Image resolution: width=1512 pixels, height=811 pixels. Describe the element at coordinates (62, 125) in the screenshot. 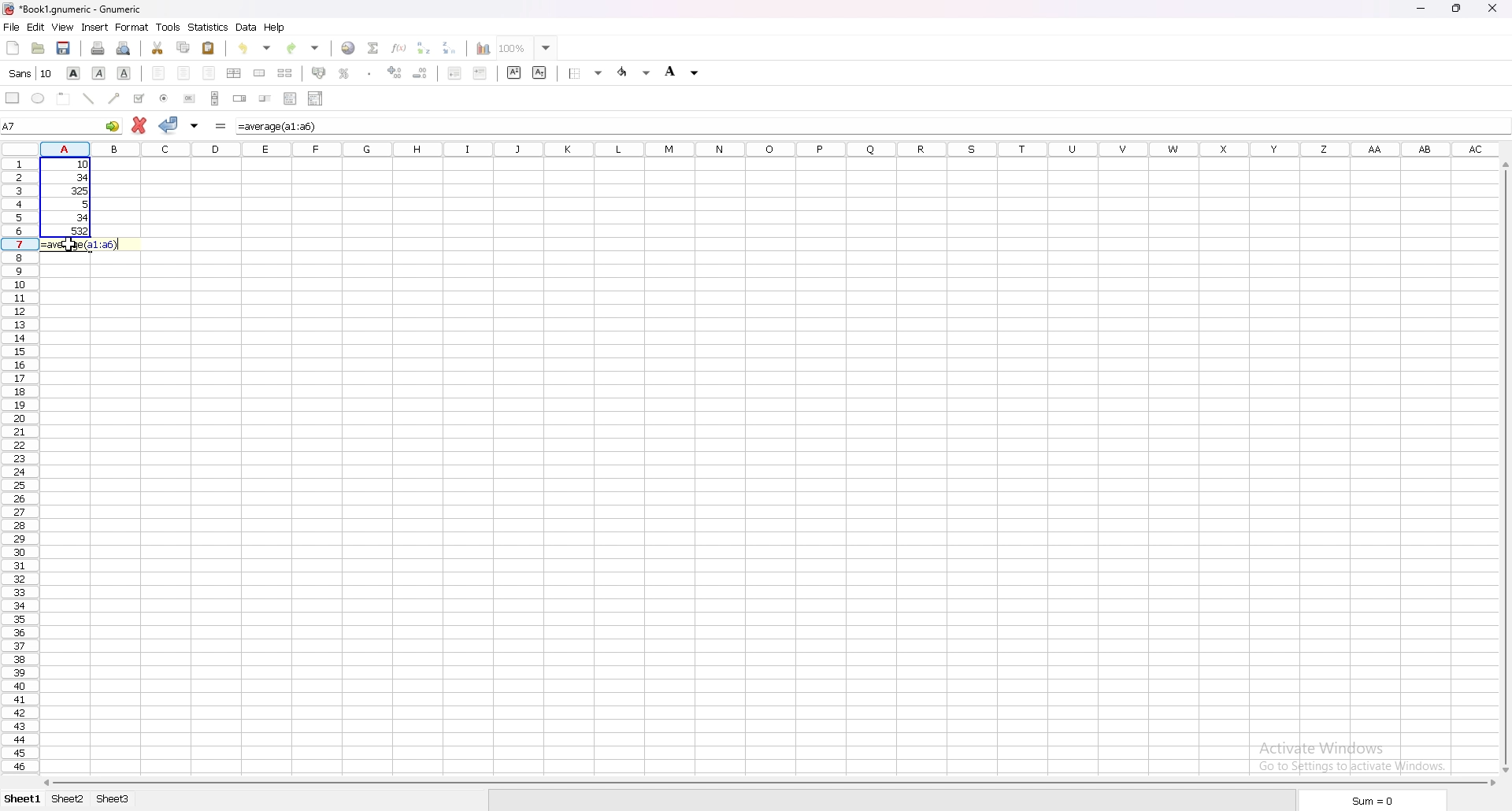

I see `A7` at that location.